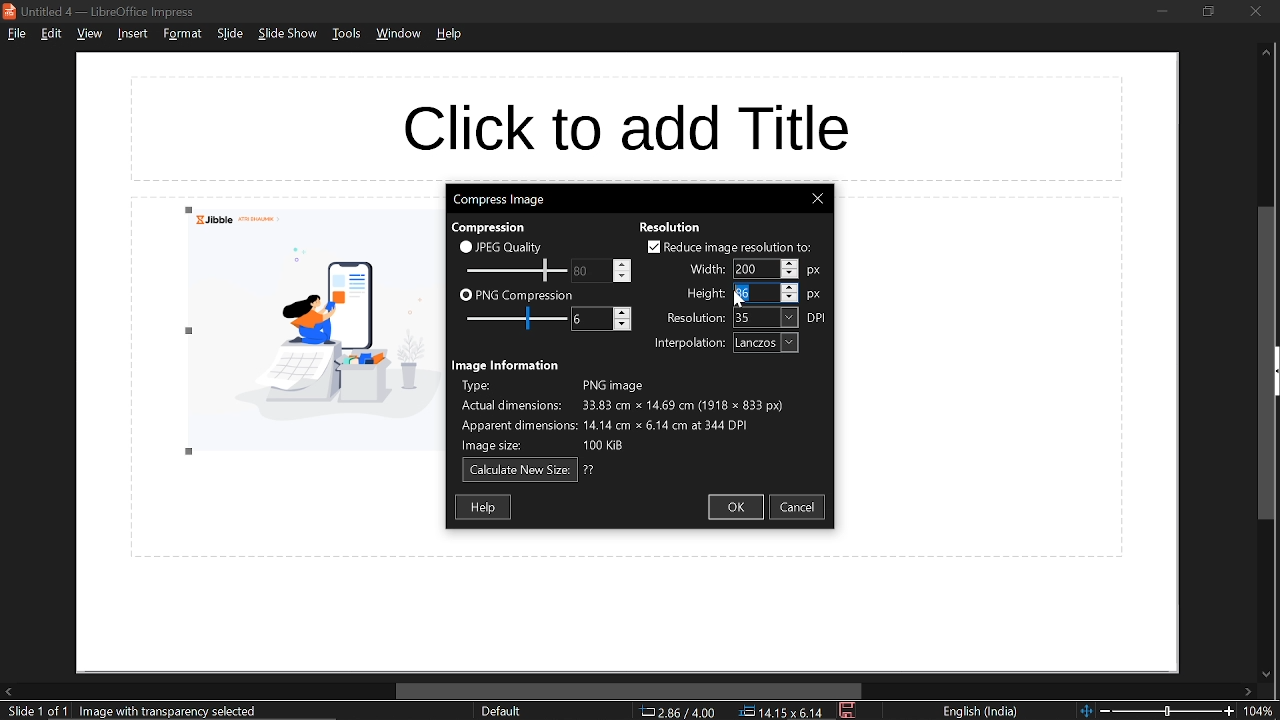  What do you see at coordinates (520, 471) in the screenshot?
I see `calculate new size` at bounding box center [520, 471].